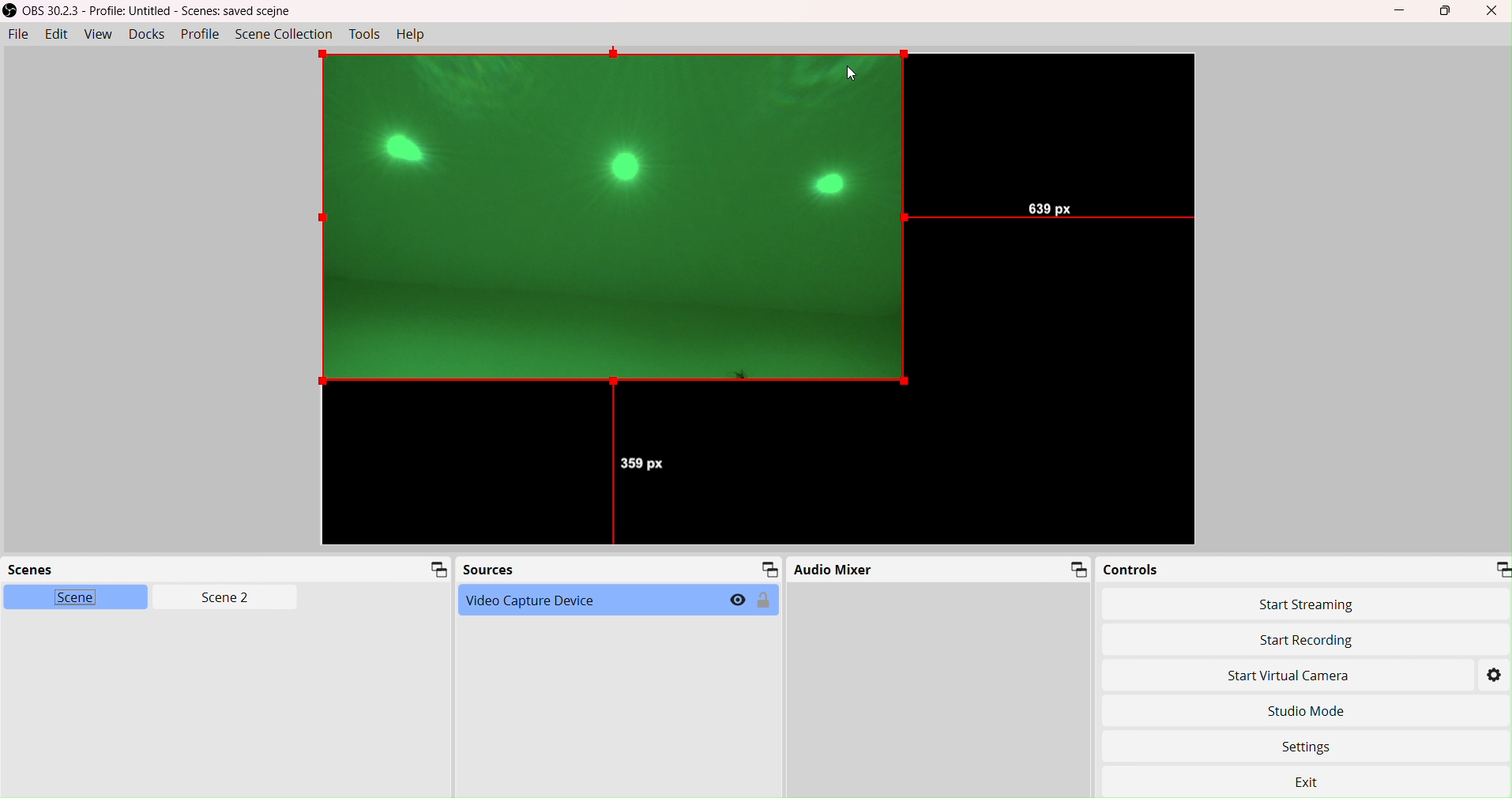  What do you see at coordinates (151, 36) in the screenshot?
I see `Docks` at bounding box center [151, 36].